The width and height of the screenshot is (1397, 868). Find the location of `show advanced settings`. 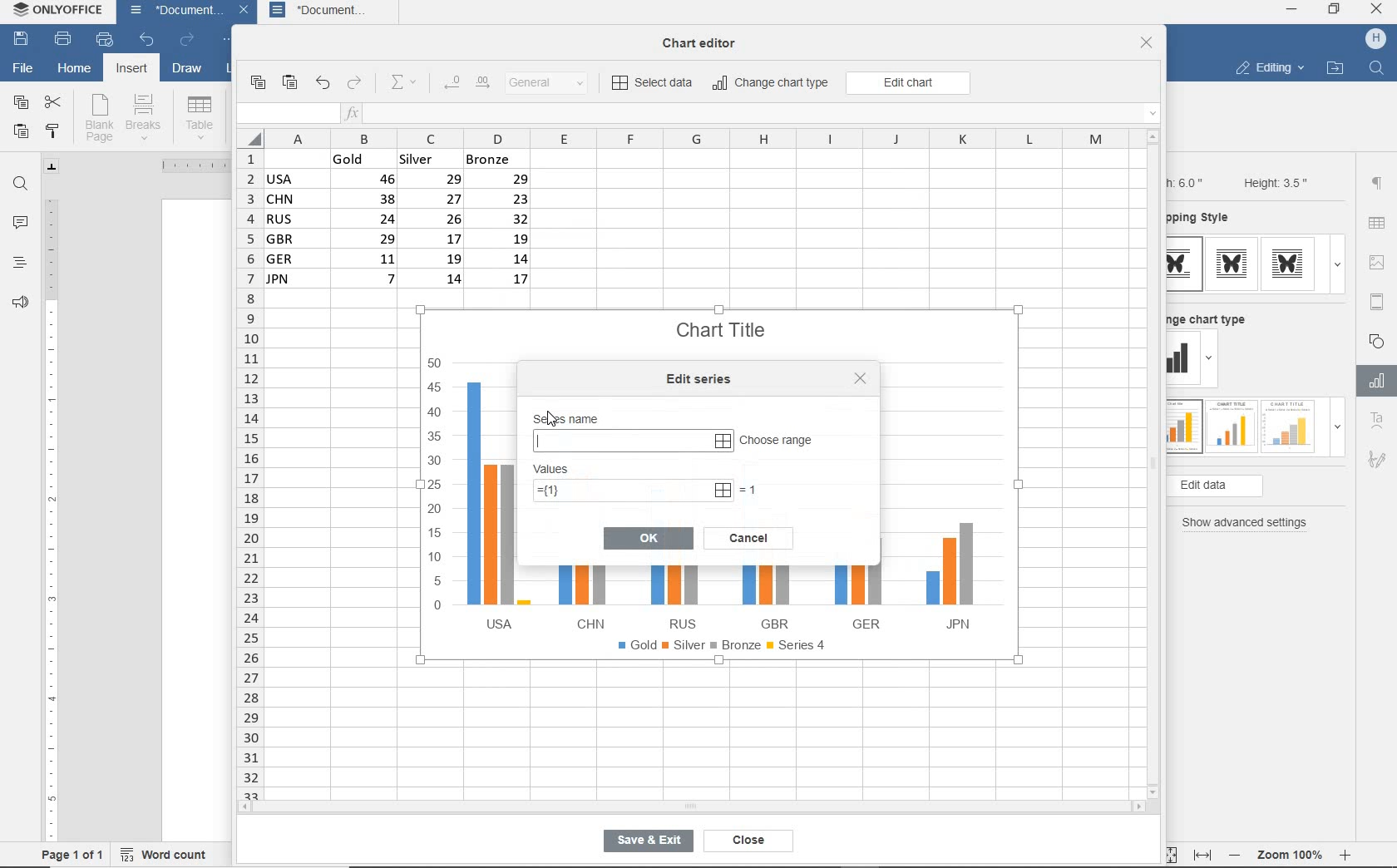

show advanced settings is located at coordinates (1249, 523).